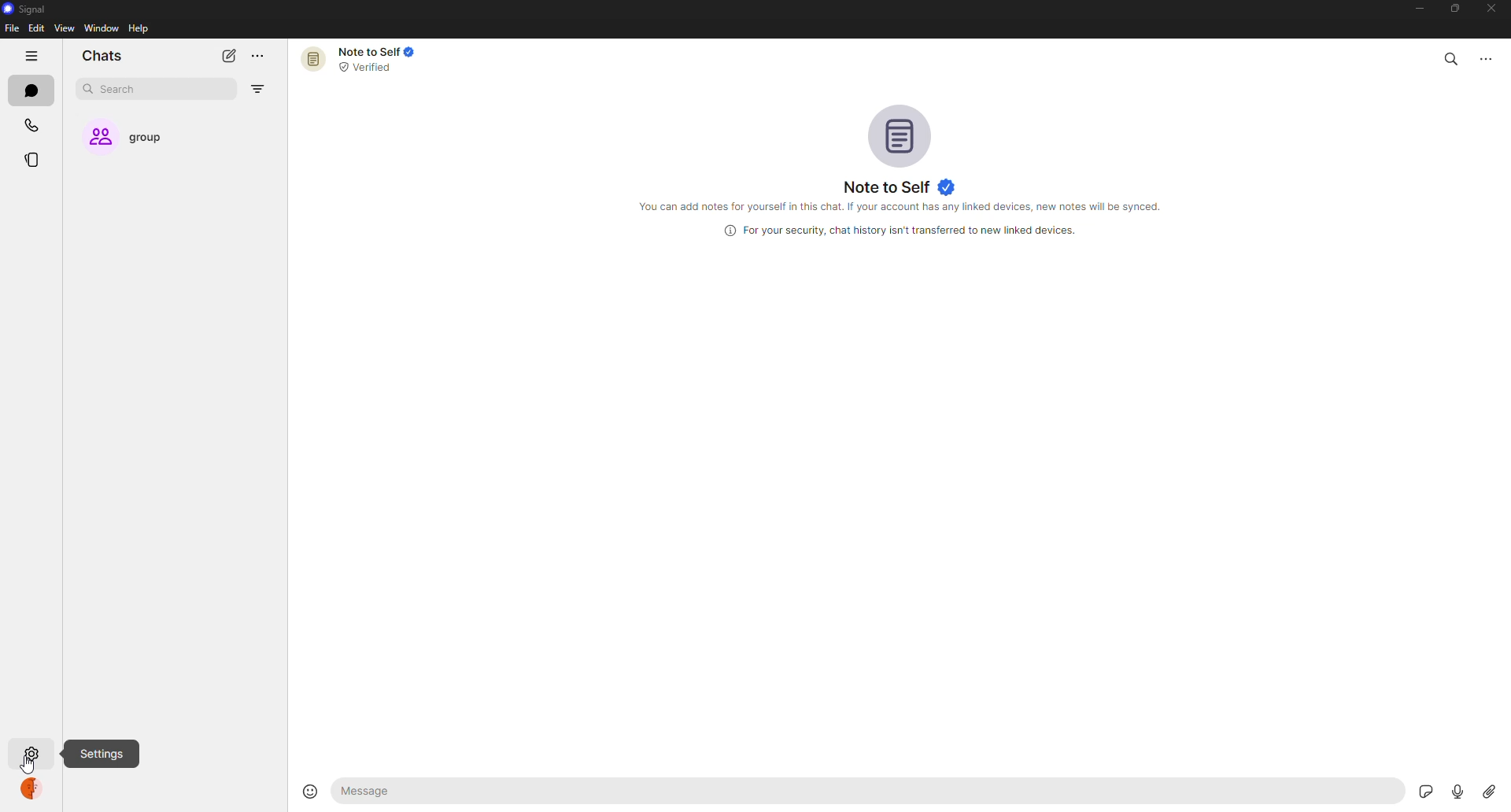 This screenshot has height=812, width=1511. Describe the element at coordinates (31, 754) in the screenshot. I see `settings` at that location.